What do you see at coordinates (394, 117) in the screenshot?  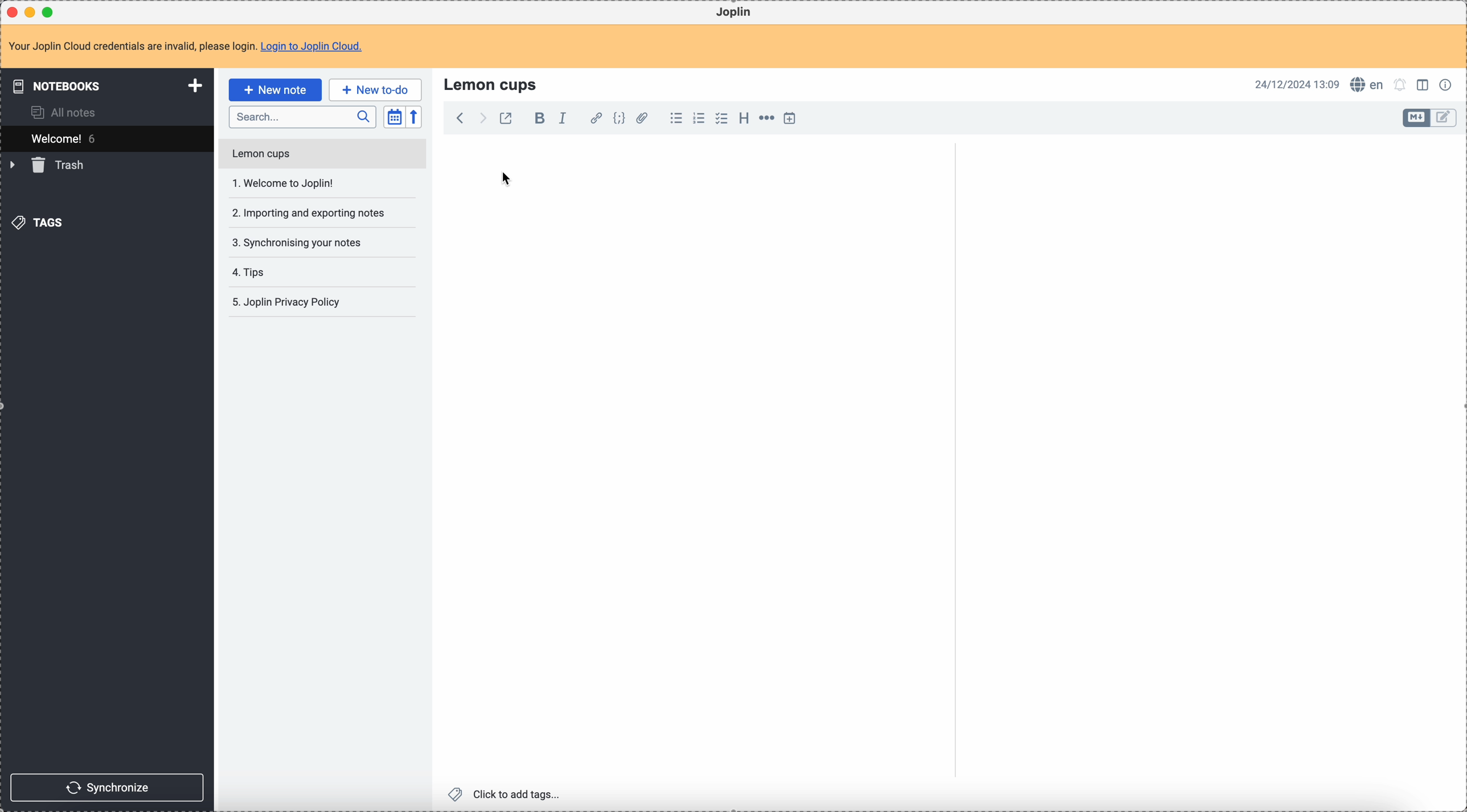 I see `toggle sort order field` at bounding box center [394, 117].